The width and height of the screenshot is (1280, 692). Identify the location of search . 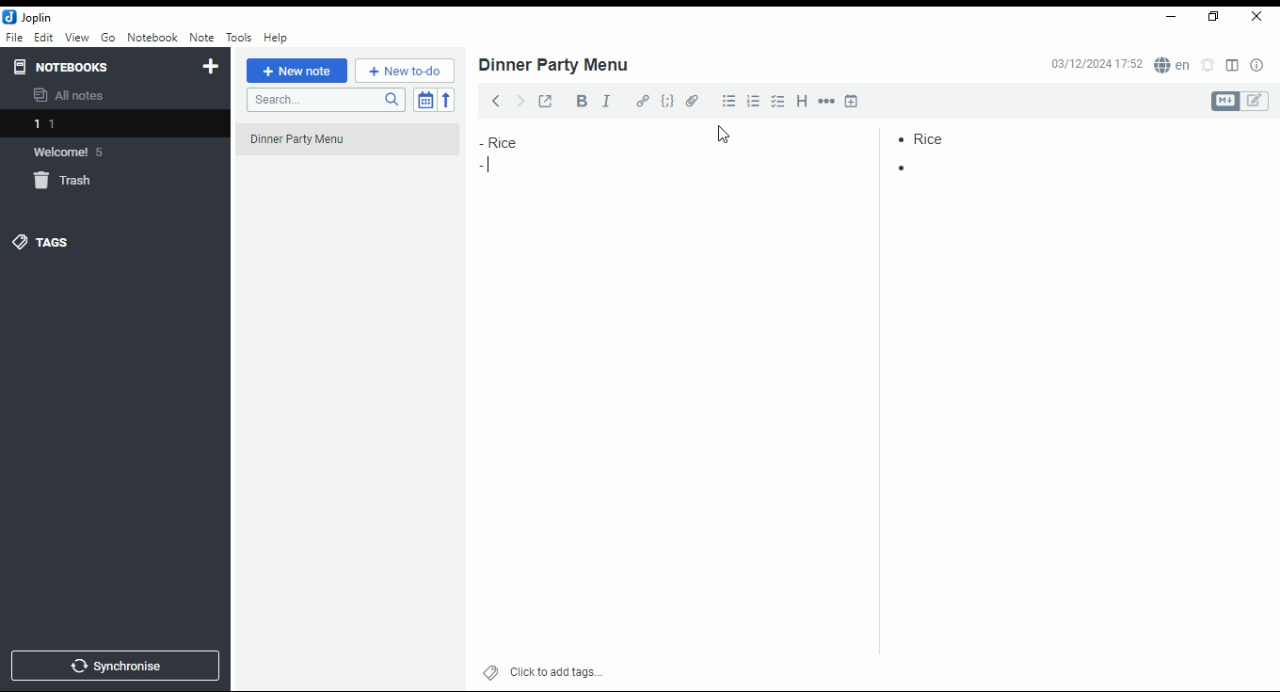
(324, 101).